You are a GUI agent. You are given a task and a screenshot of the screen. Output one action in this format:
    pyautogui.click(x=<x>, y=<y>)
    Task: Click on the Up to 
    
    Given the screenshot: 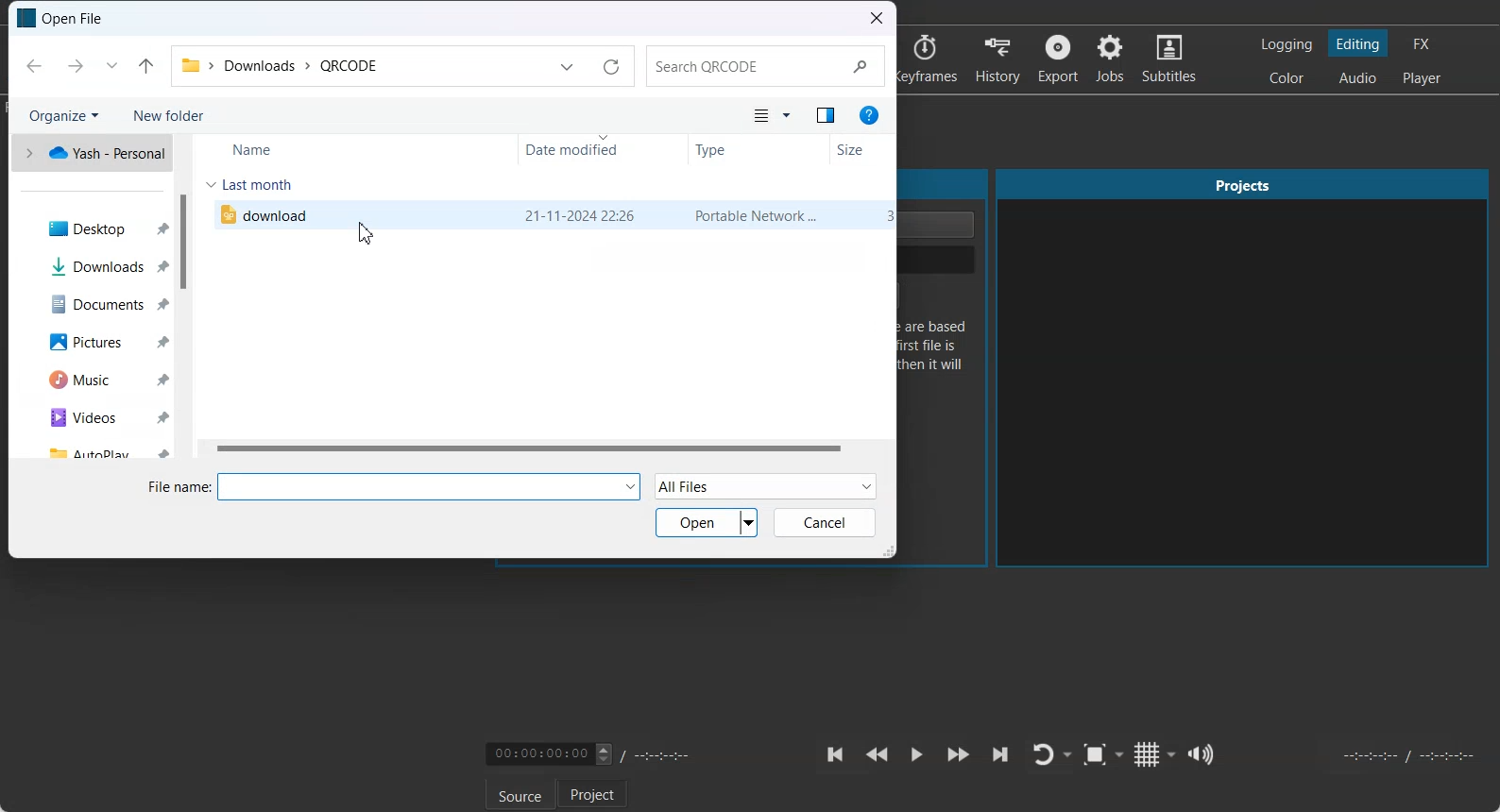 What is the action you would take?
    pyautogui.click(x=146, y=66)
    